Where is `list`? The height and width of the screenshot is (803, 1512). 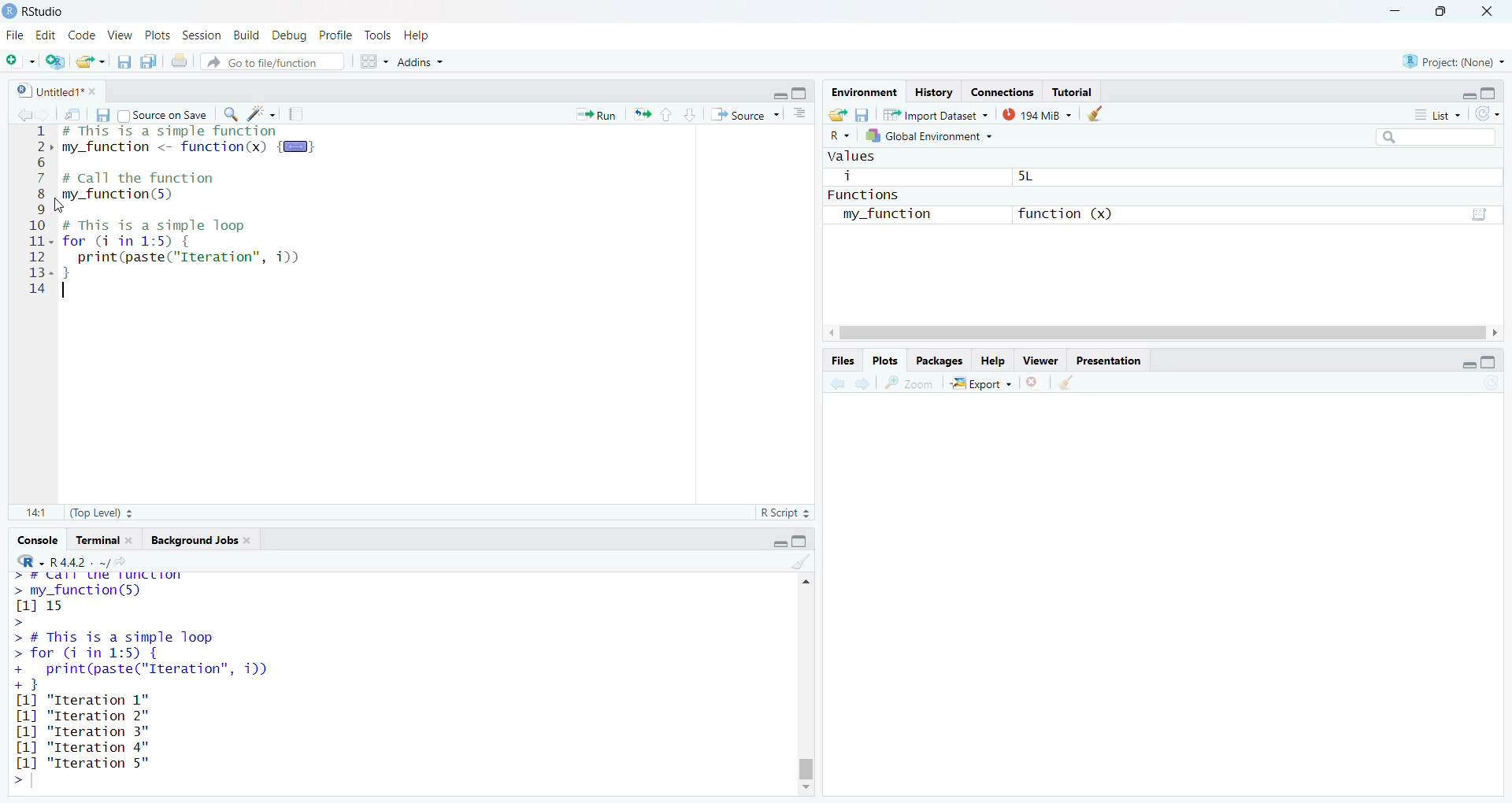
list is located at coordinates (1436, 117).